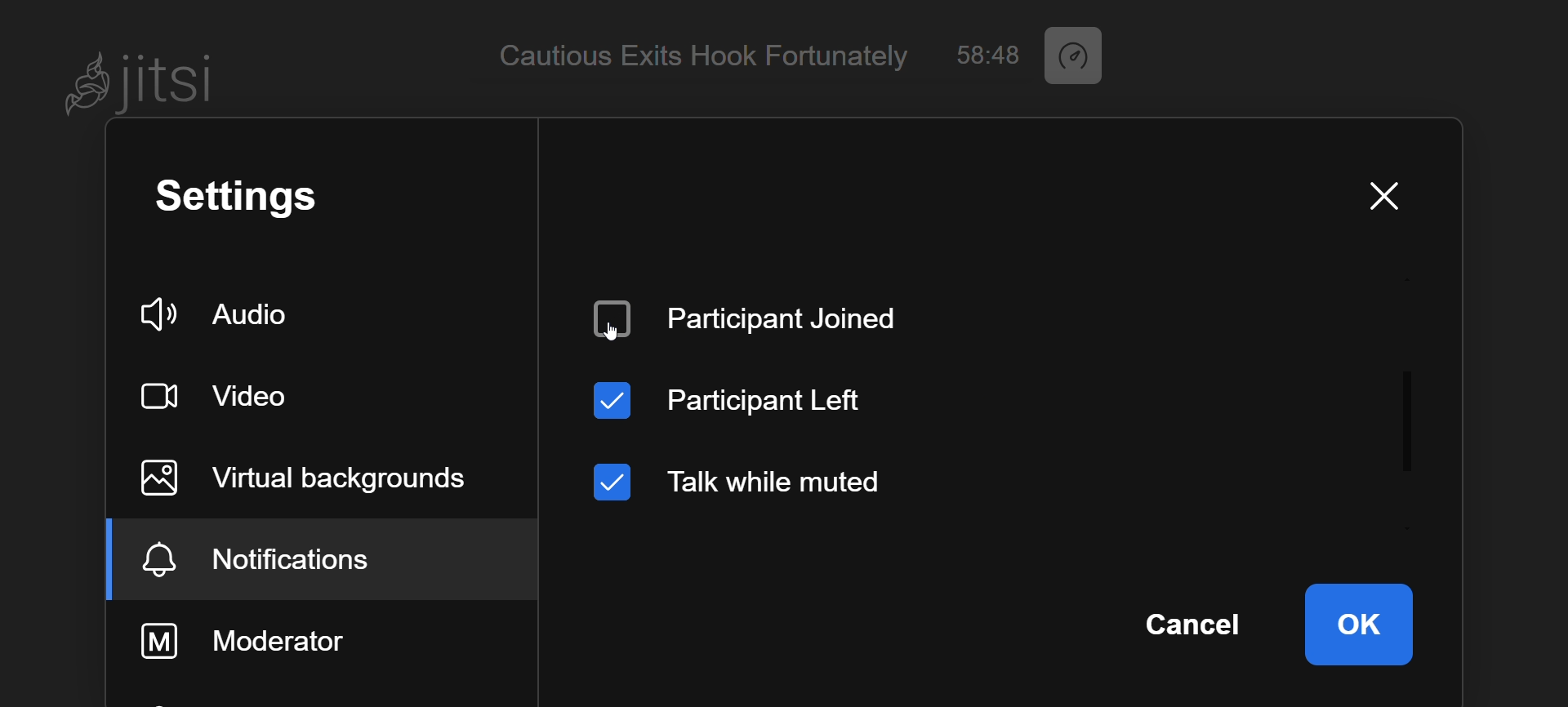 The image size is (1568, 707). Describe the element at coordinates (1357, 623) in the screenshot. I see `ok ` at that location.